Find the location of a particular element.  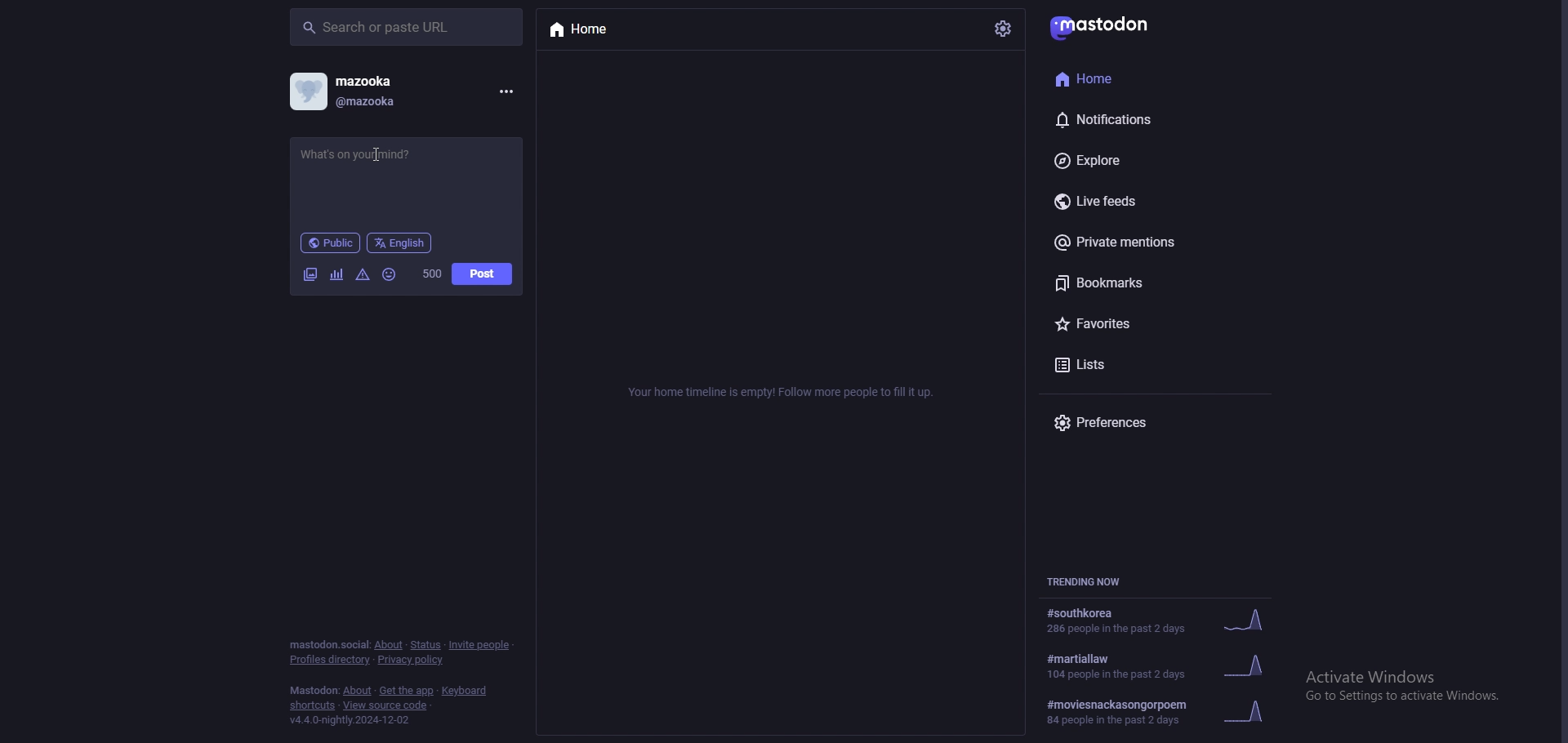

audience is located at coordinates (331, 242).